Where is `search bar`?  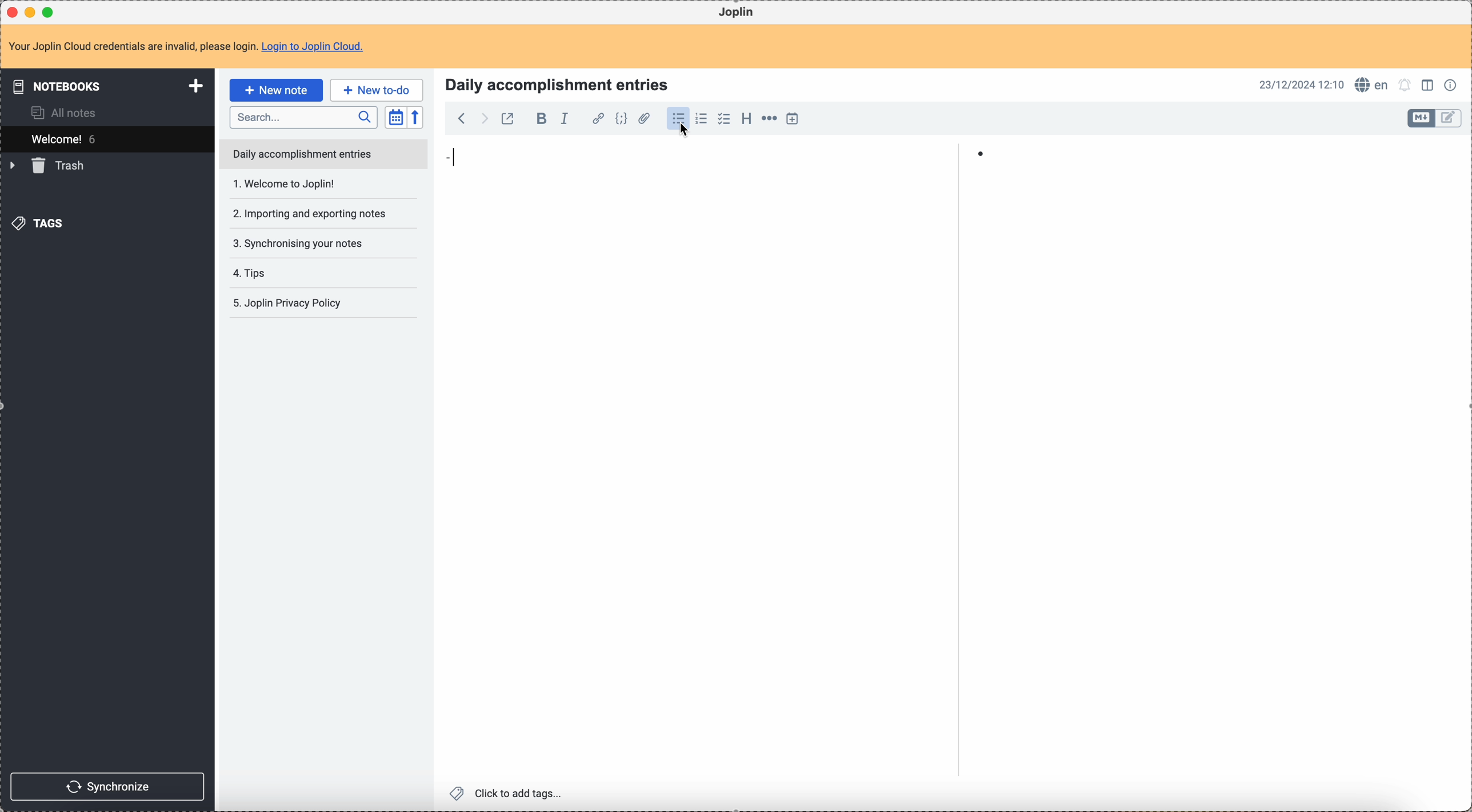
search bar is located at coordinates (303, 116).